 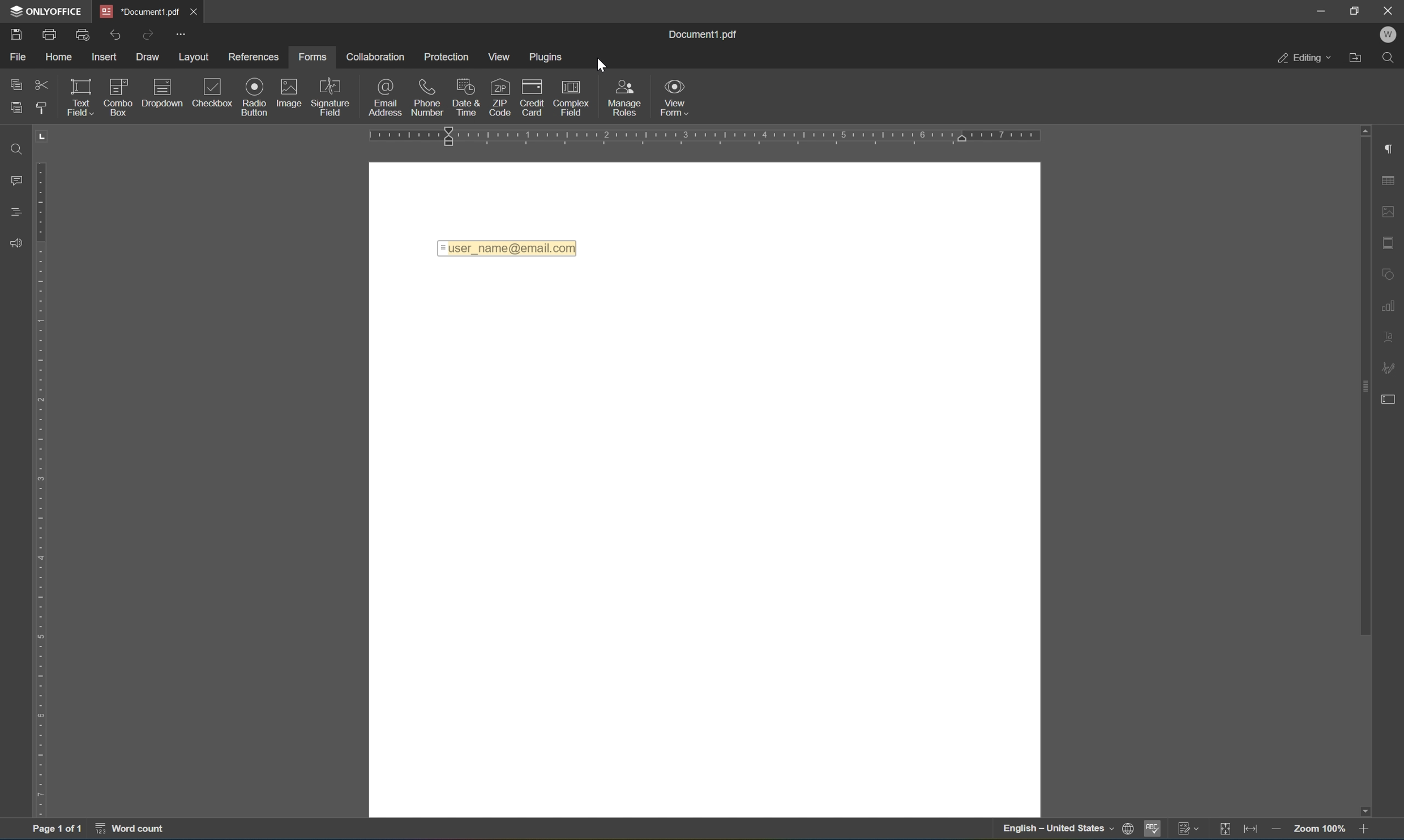 I want to click on feedback & support, so click(x=18, y=243).